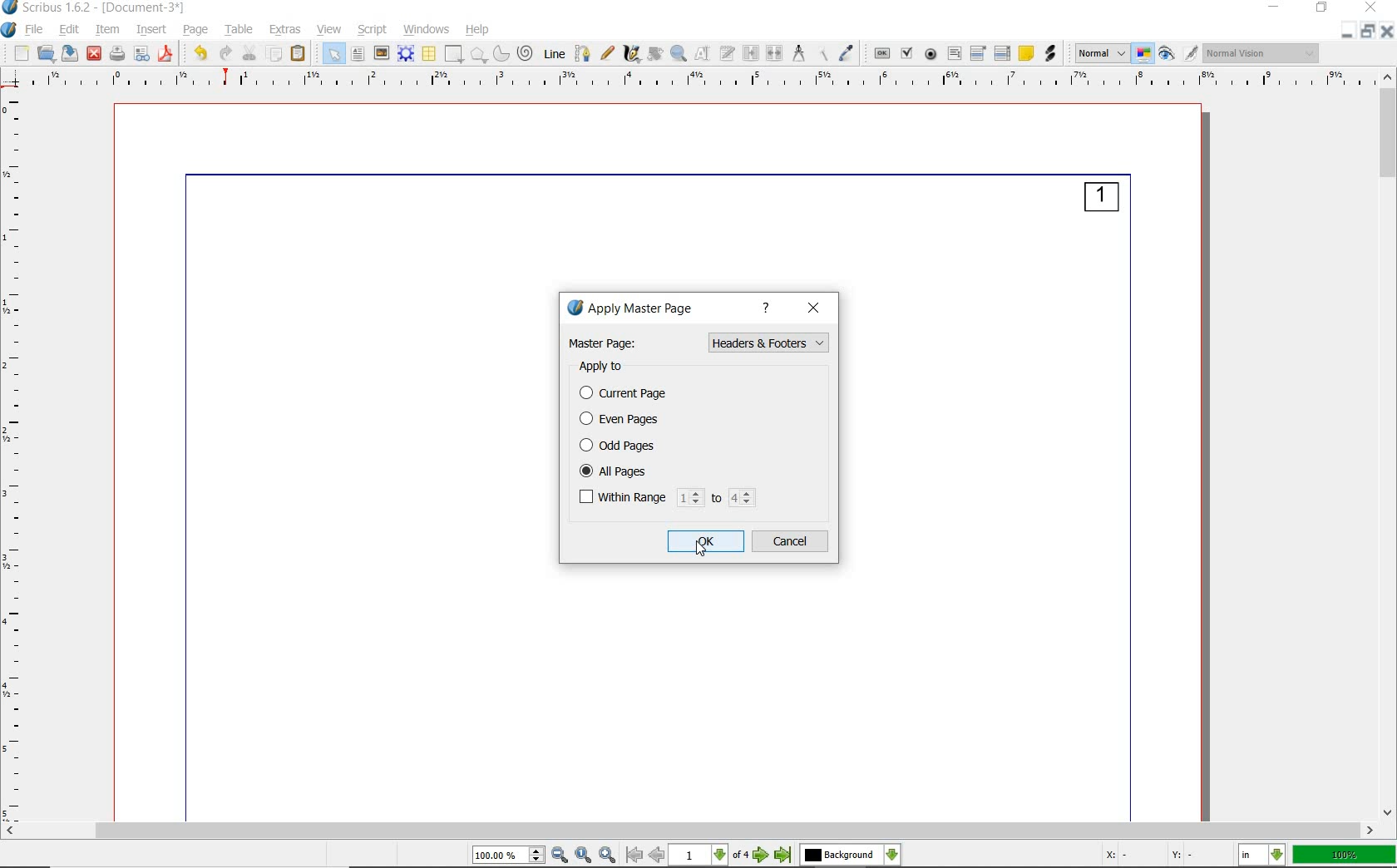 This screenshot has width=1397, height=868. I want to click on select current page, so click(708, 856).